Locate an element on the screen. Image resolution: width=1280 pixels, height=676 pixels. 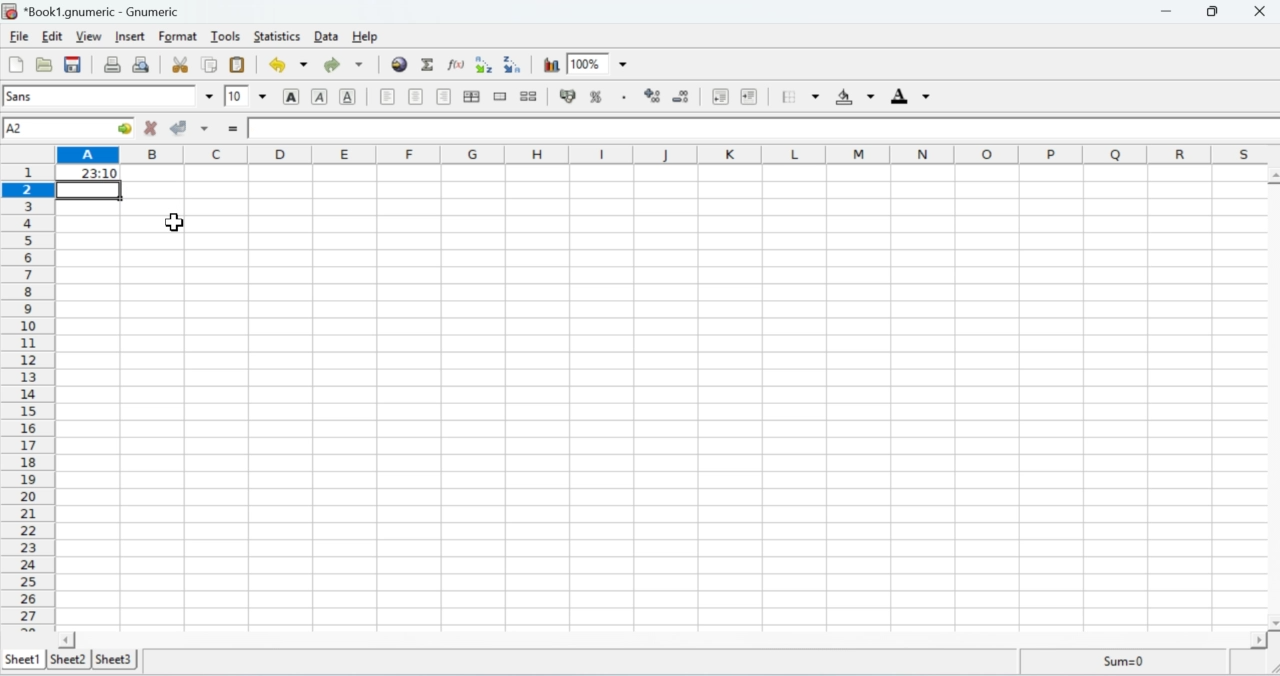
Align right is located at coordinates (446, 97).